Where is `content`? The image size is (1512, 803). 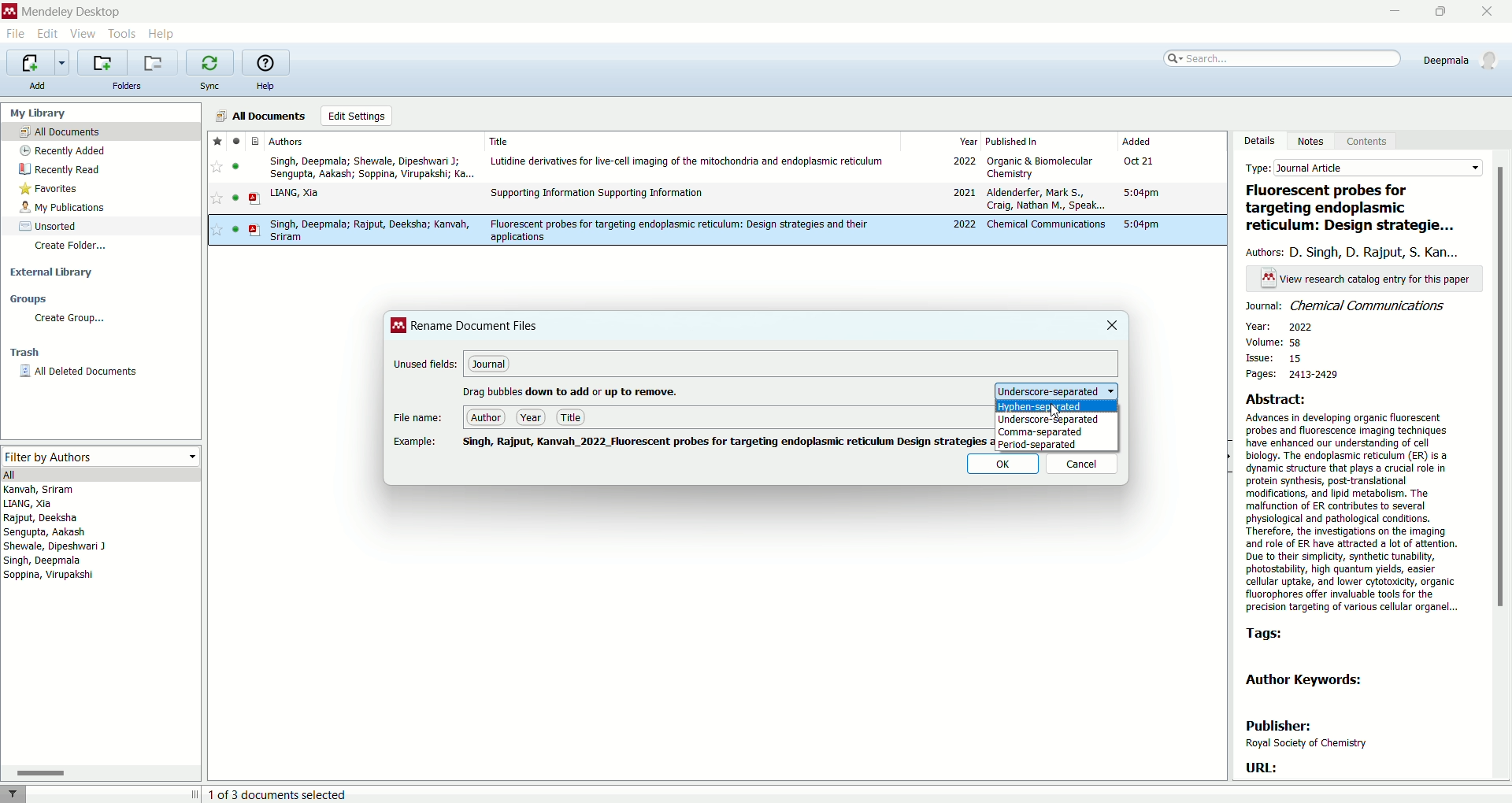 content is located at coordinates (1367, 142).